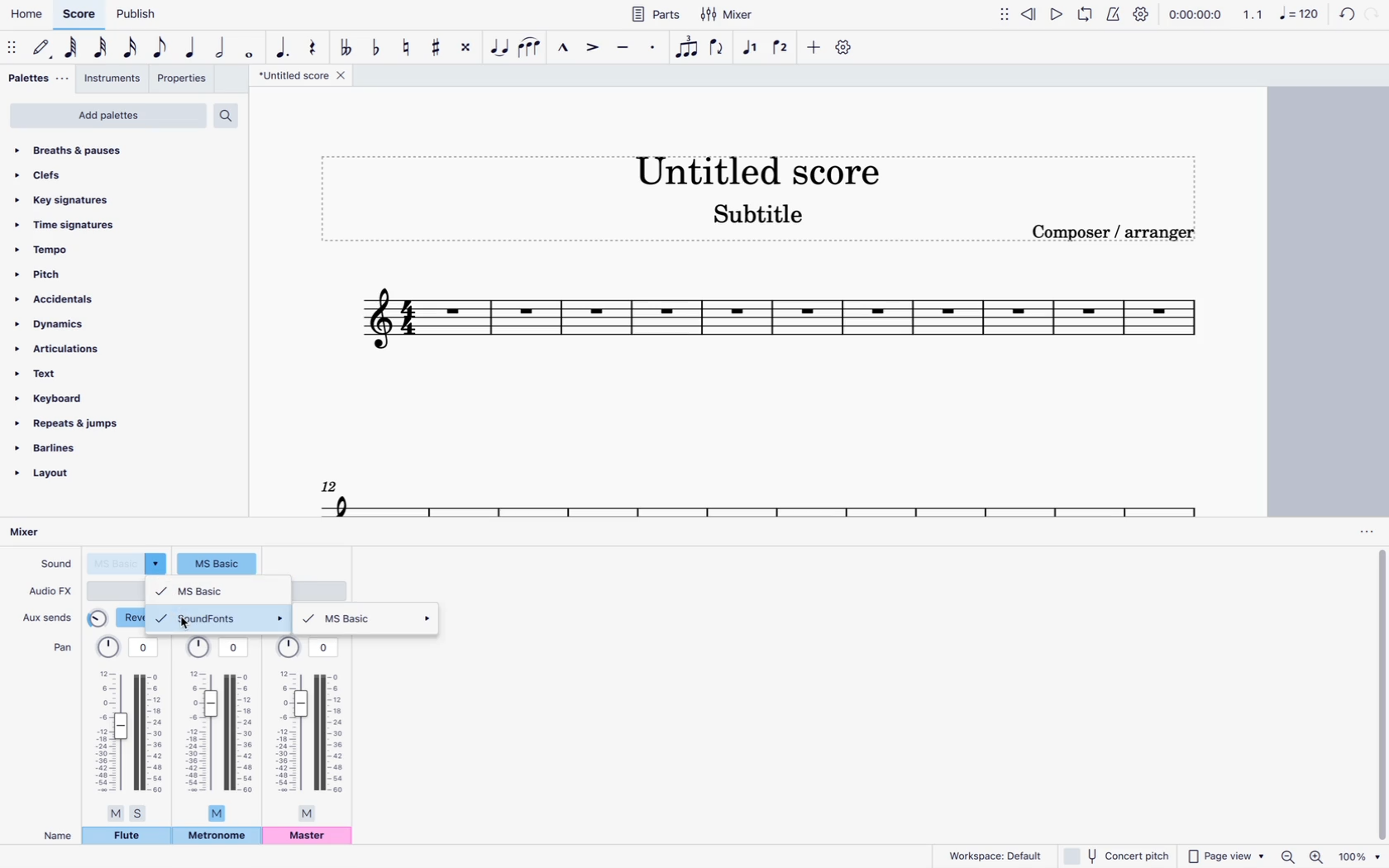  What do you see at coordinates (231, 115) in the screenshot?
I see `search` at bounding box center [231, 115].